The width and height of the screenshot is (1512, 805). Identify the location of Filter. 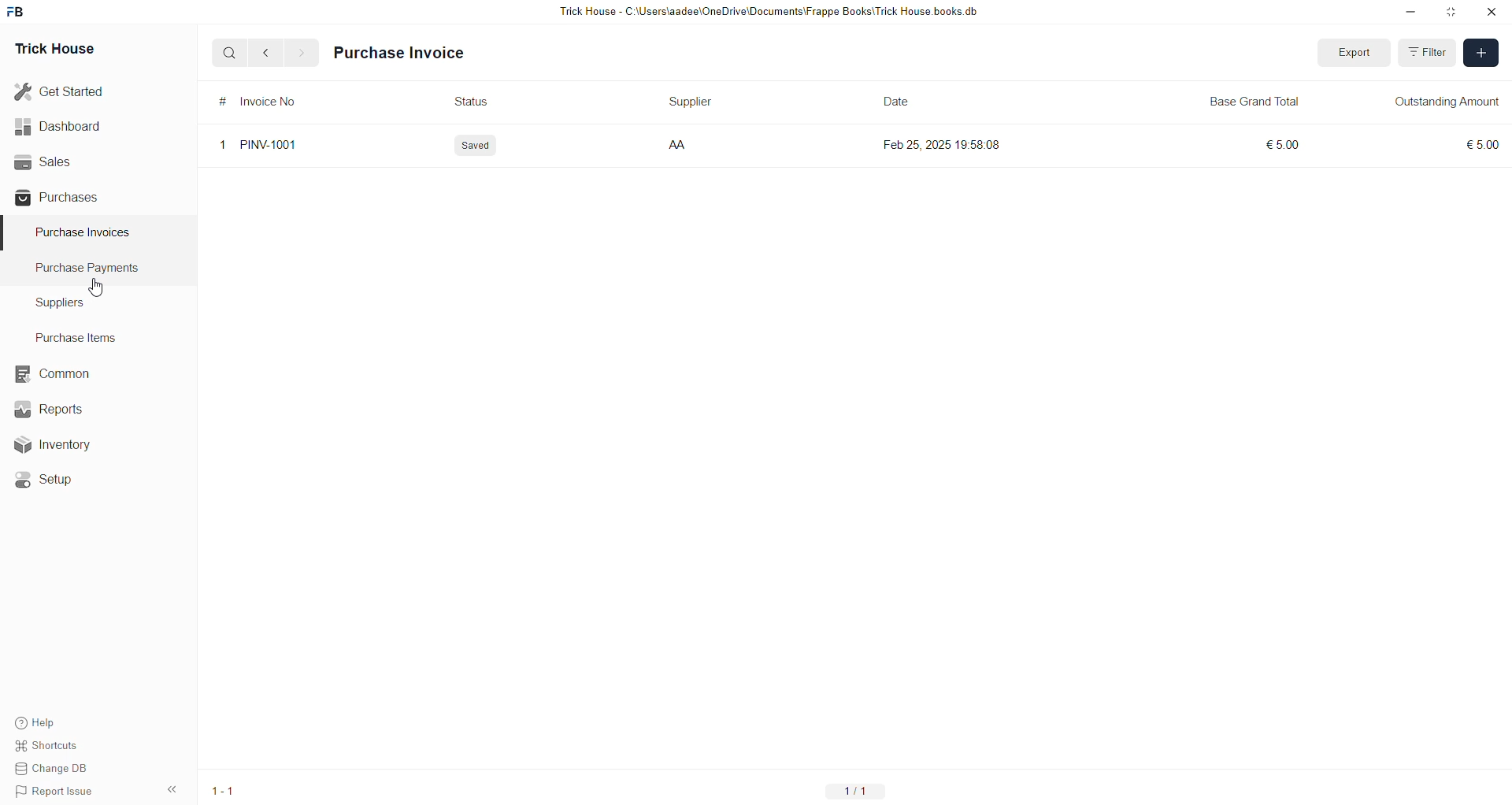
(1426, 52).